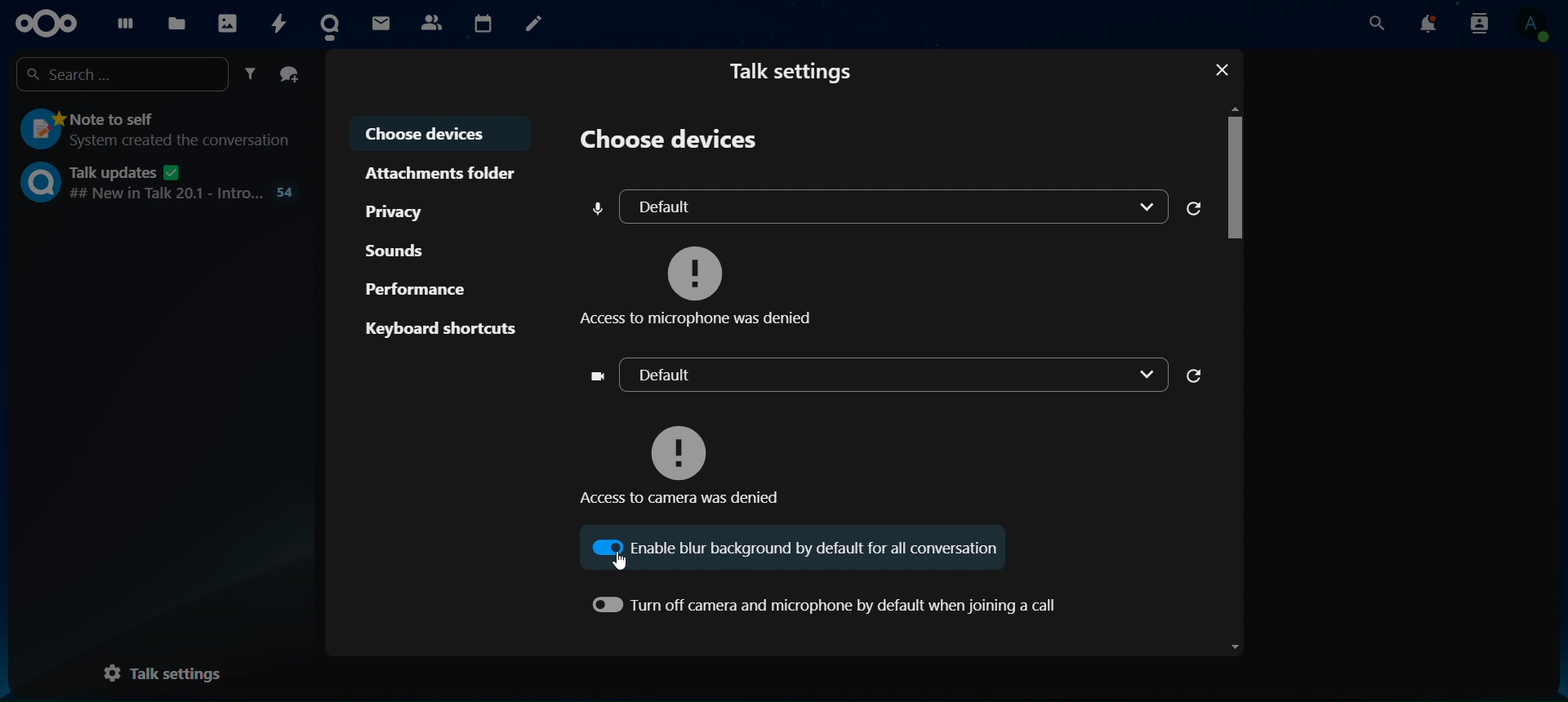  What do you see at coordinates (623, 561) in the screenshot?
I see `cursor` at bounding box center [623, 561].